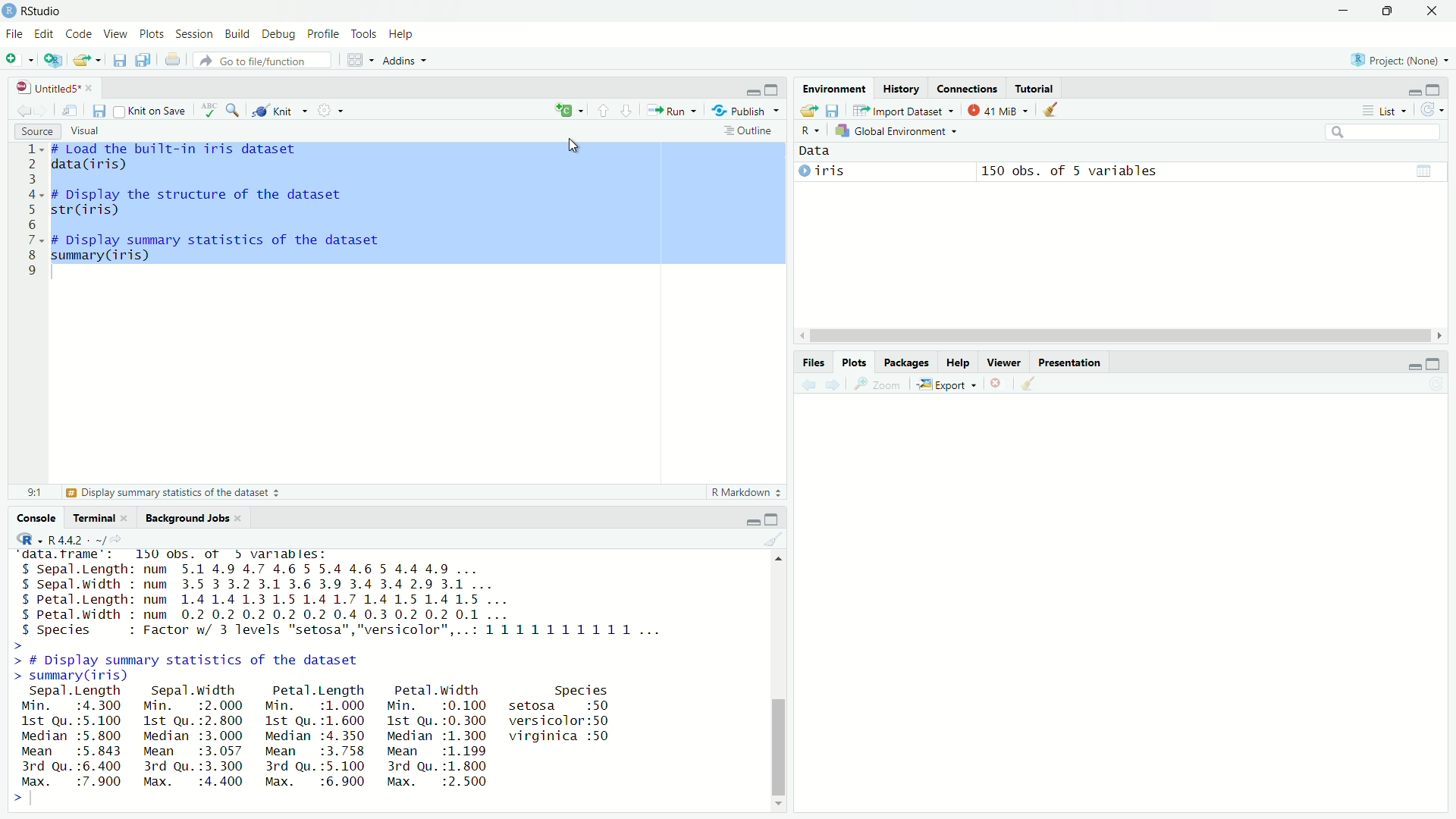 The width and height of the screenshot is (1456, 819). I want to click on “4% Publish ~, so click(745, 109).